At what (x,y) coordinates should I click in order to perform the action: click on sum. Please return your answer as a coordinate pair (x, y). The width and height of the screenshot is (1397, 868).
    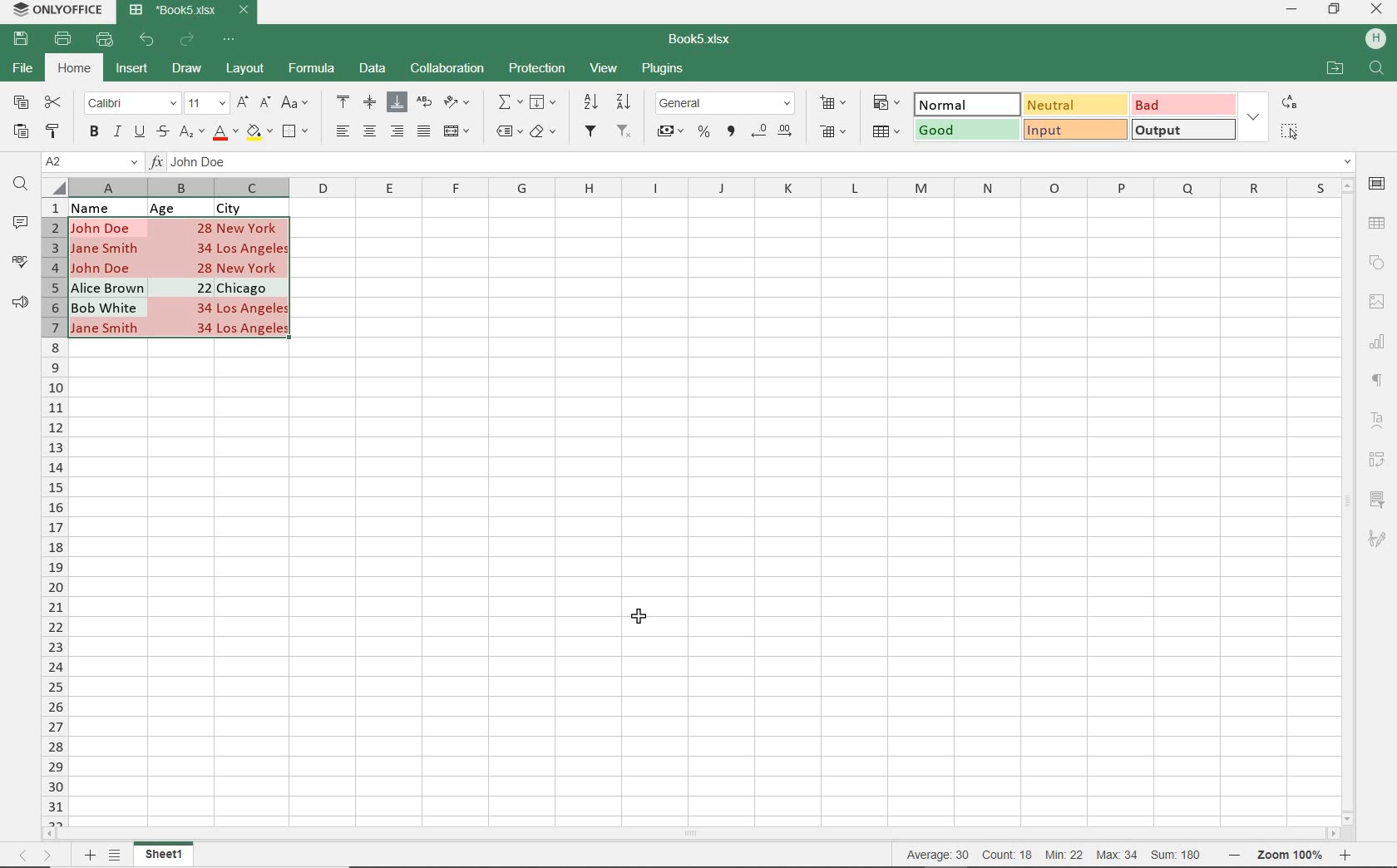
    Looking at the image, I should click on (1172, 855).